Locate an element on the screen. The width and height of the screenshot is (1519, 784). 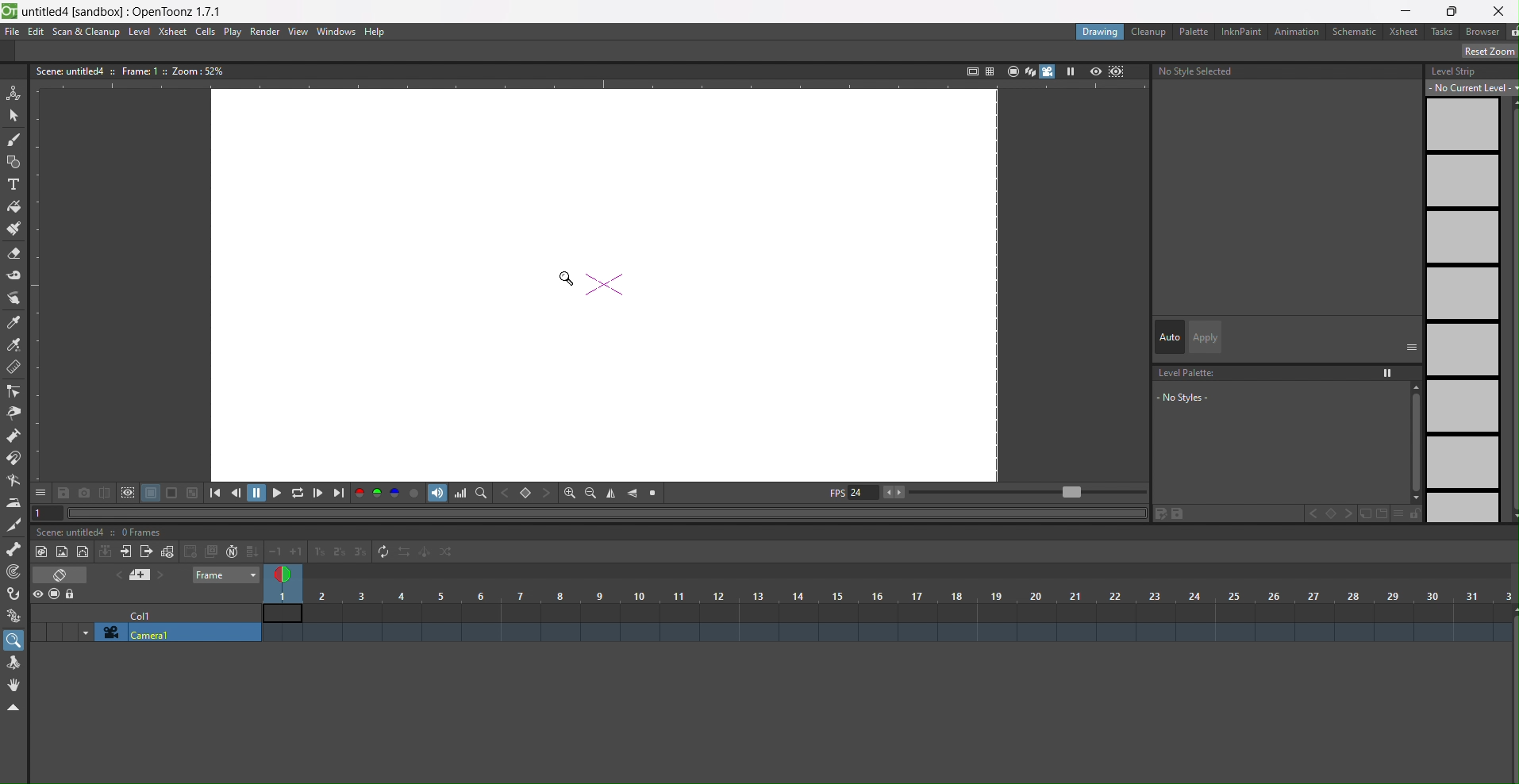
geometric tool is located at coordinates (14, 162).